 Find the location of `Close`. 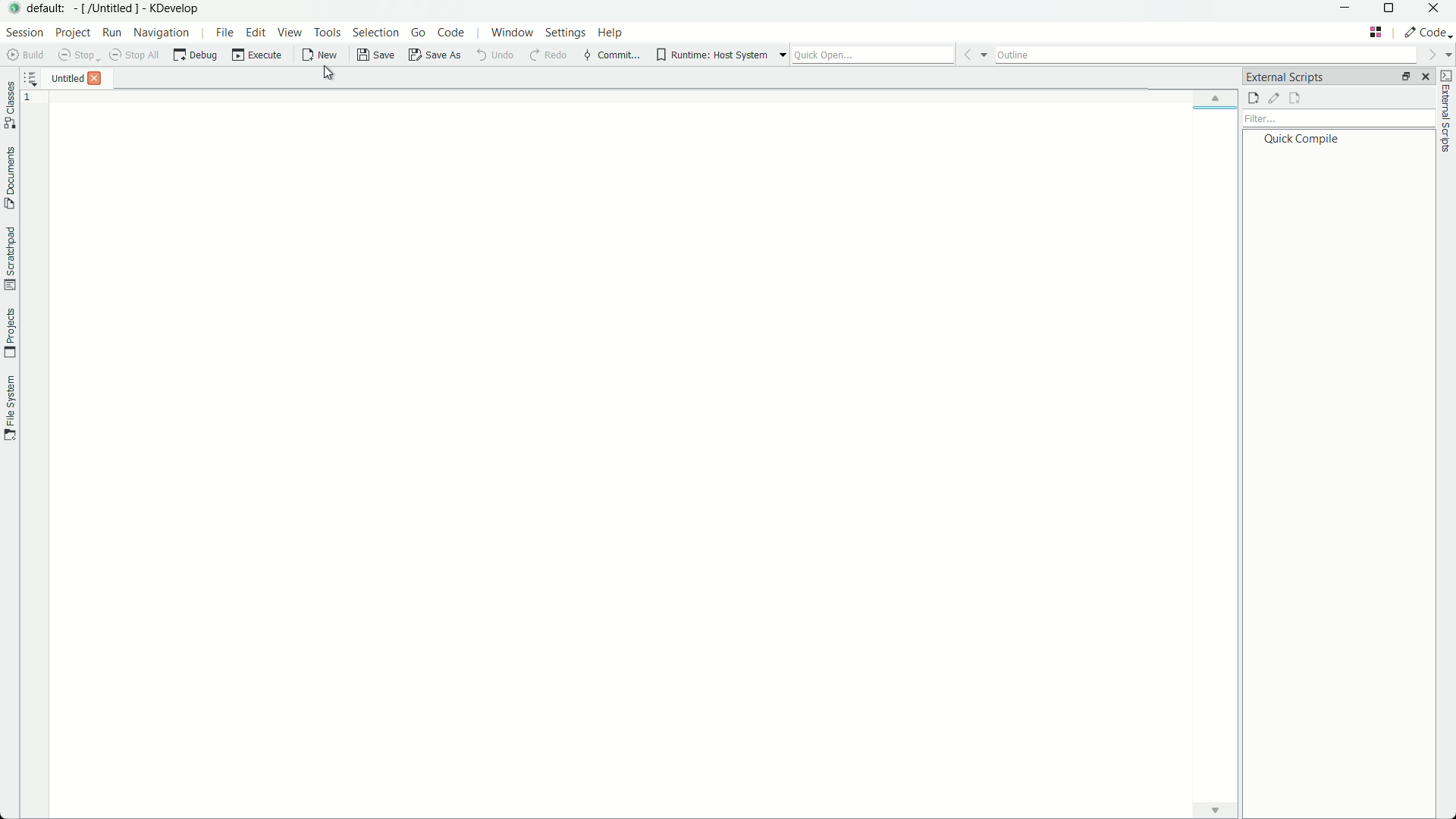

Close is located at coordinates (99, 78).